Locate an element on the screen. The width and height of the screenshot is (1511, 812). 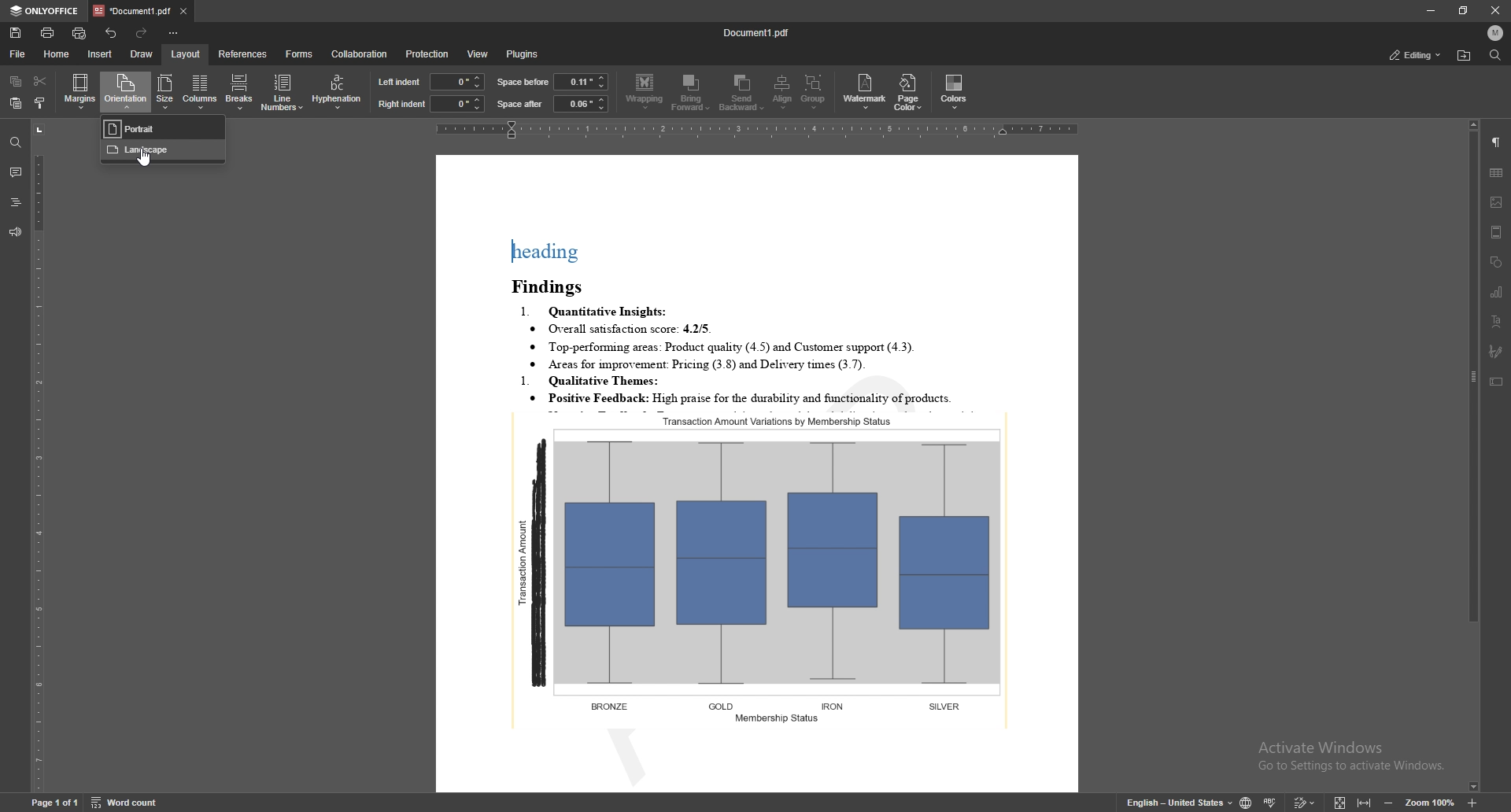
onlyoffice is located at coordinates (46, 11).